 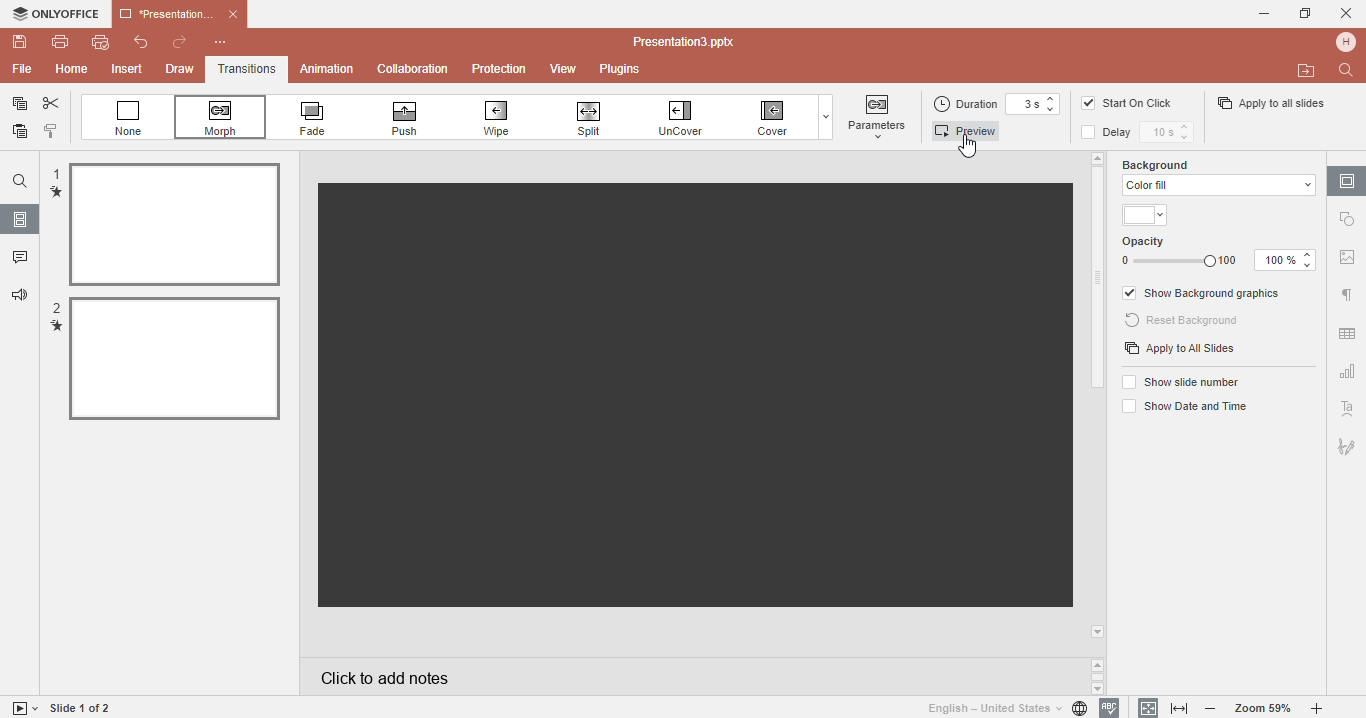 What do you see at coordinates (1112, 132) in the screenshot?
I see `Delay` at bounding box center [1112, 132].